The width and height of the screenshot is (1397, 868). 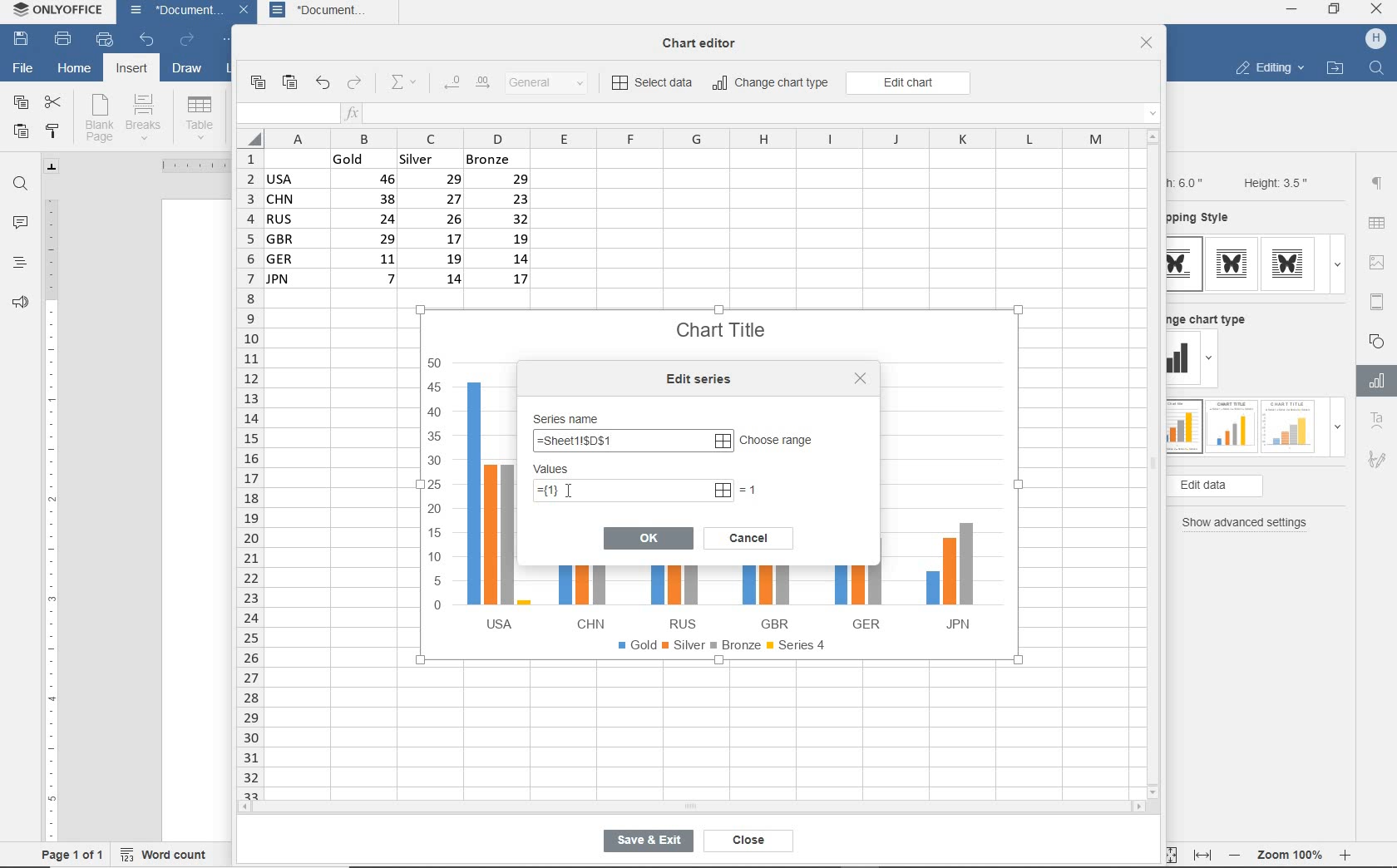 I want to click on undo, so click(x=146, y=41).